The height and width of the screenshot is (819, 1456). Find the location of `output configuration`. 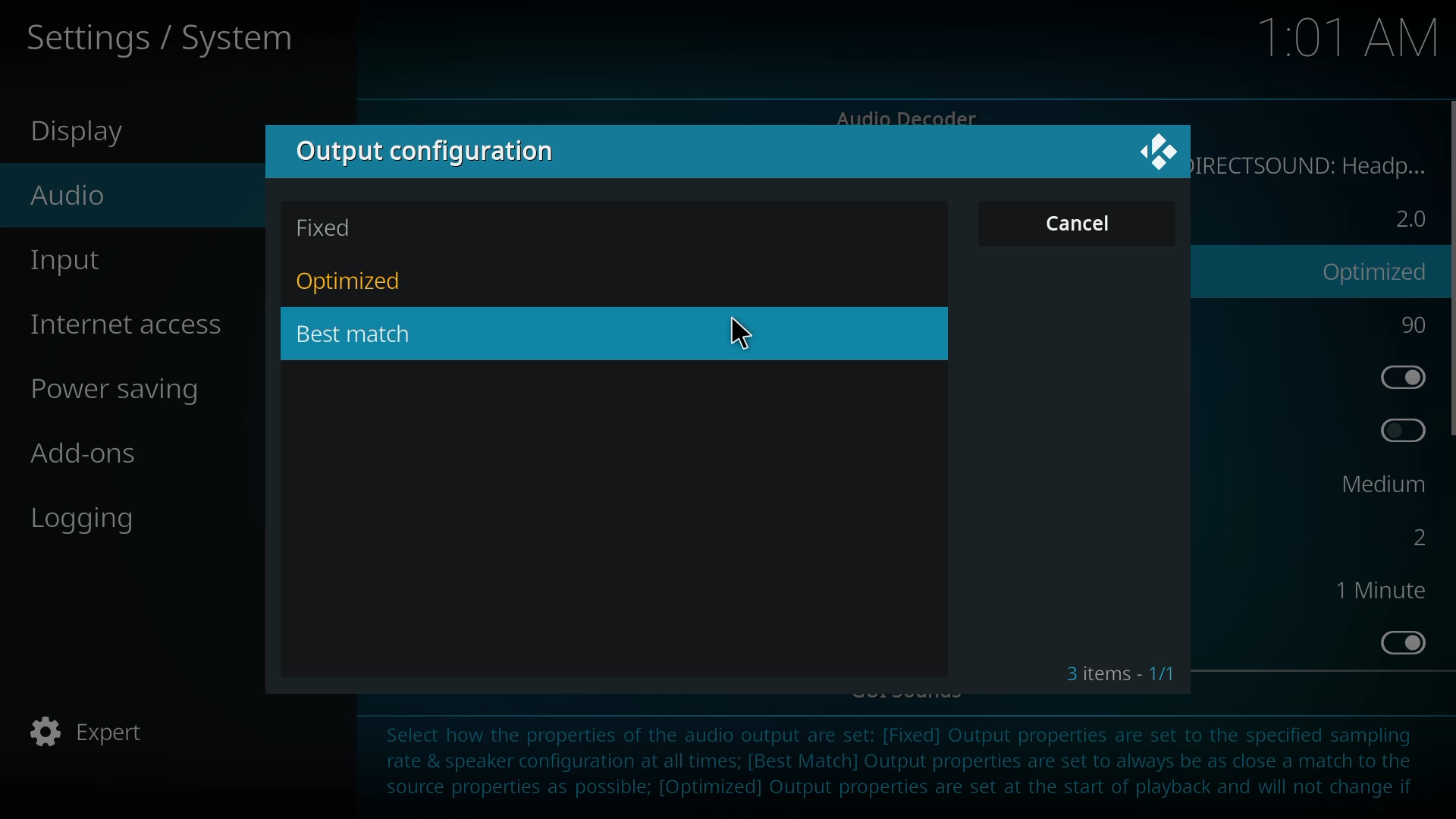

output configuration is located at coordinates (429, 151).